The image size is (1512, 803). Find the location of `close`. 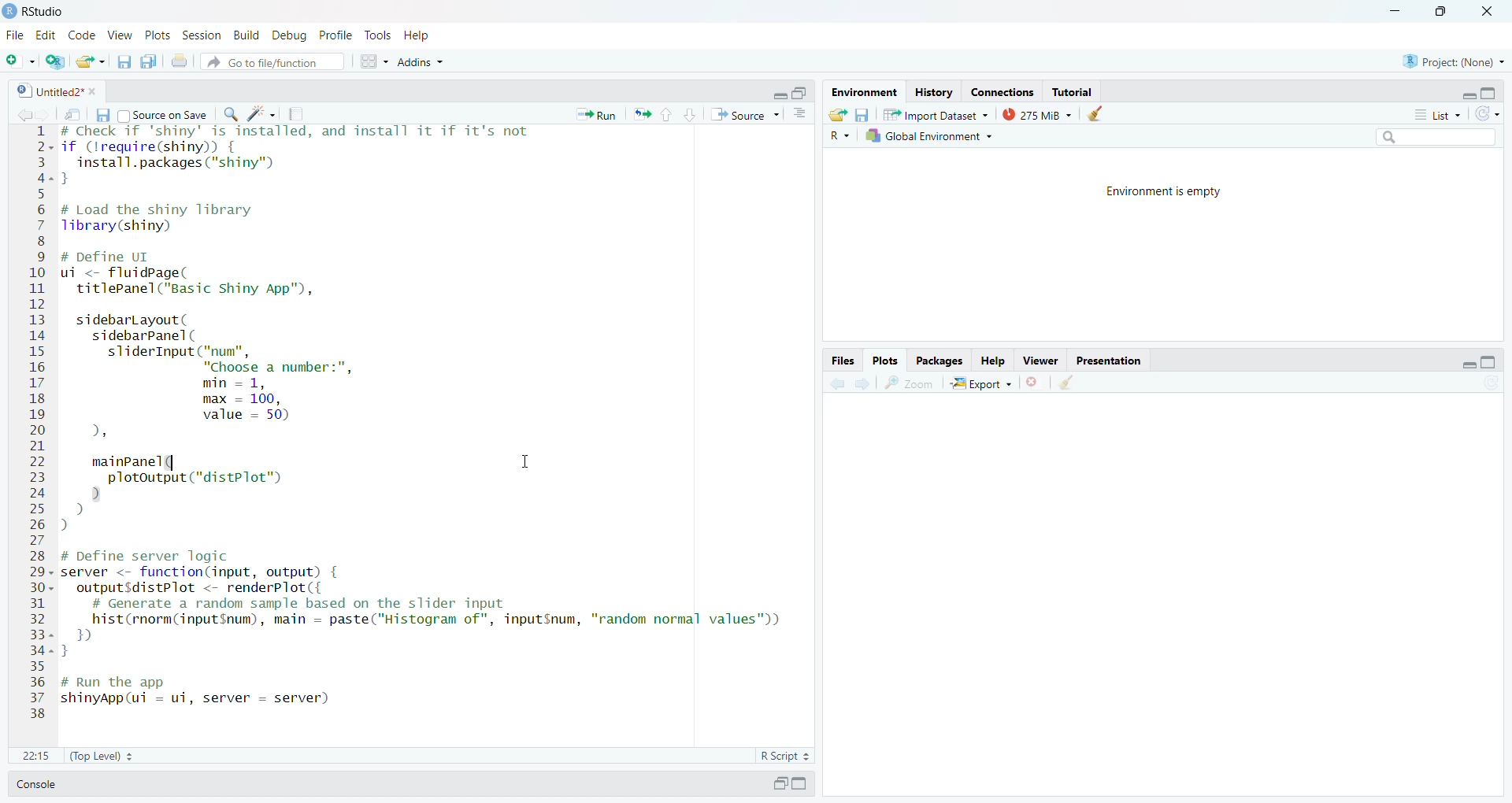

close is located at coordinates (1030, 382).